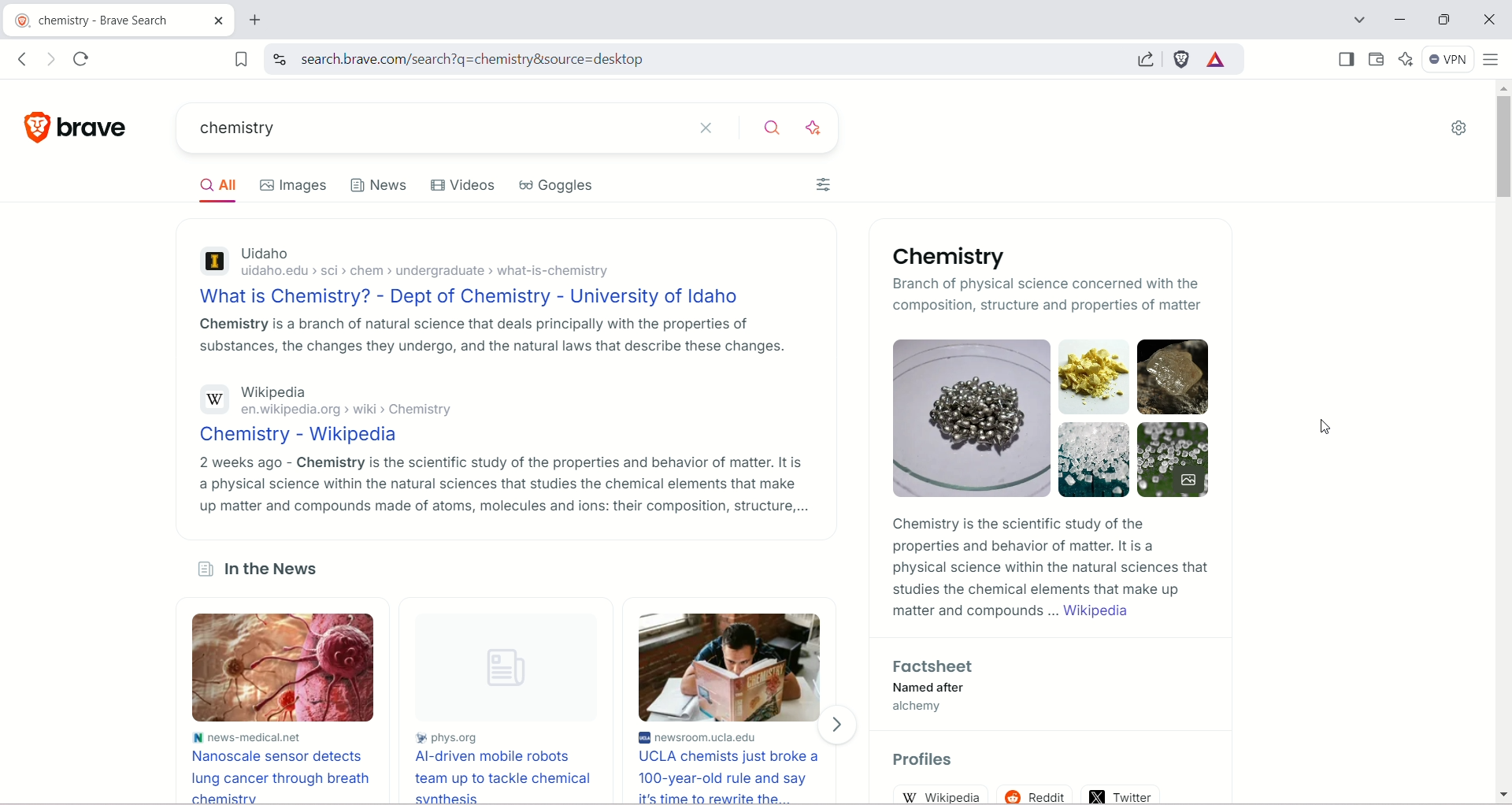 The height and width of the screenshot is (805, 1512). I want to click on search, so click(681, 59).